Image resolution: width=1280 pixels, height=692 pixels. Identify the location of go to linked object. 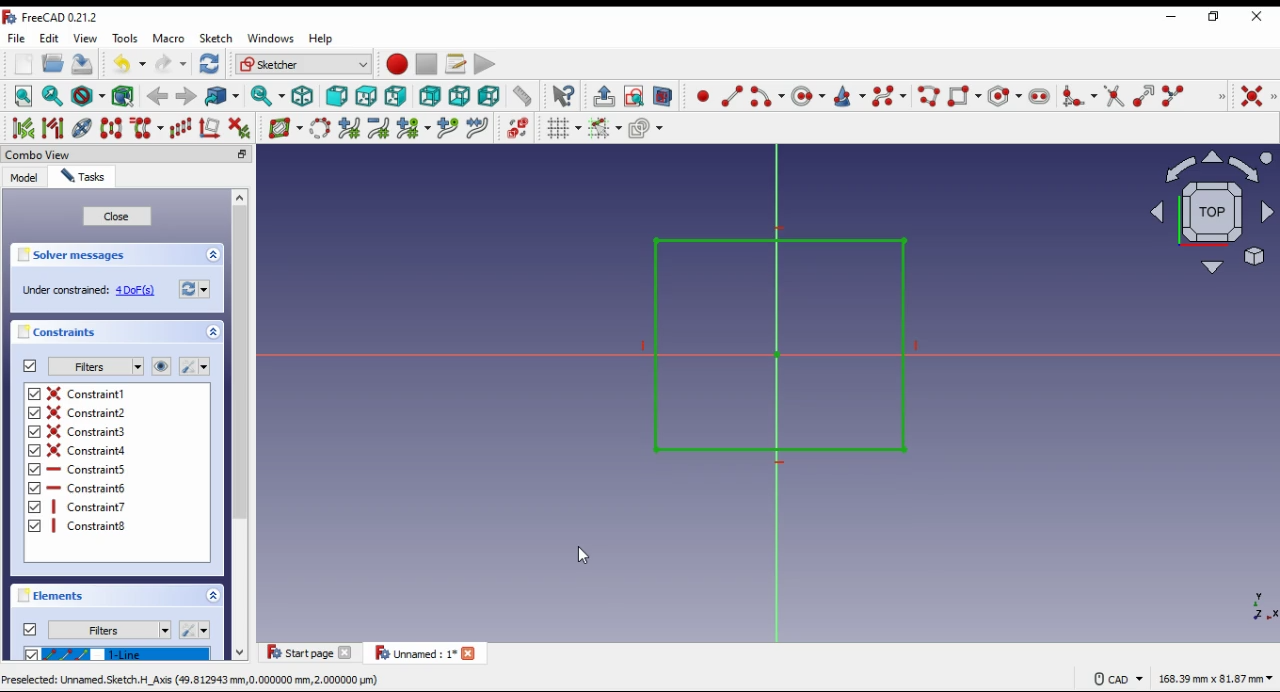
(223, 96).